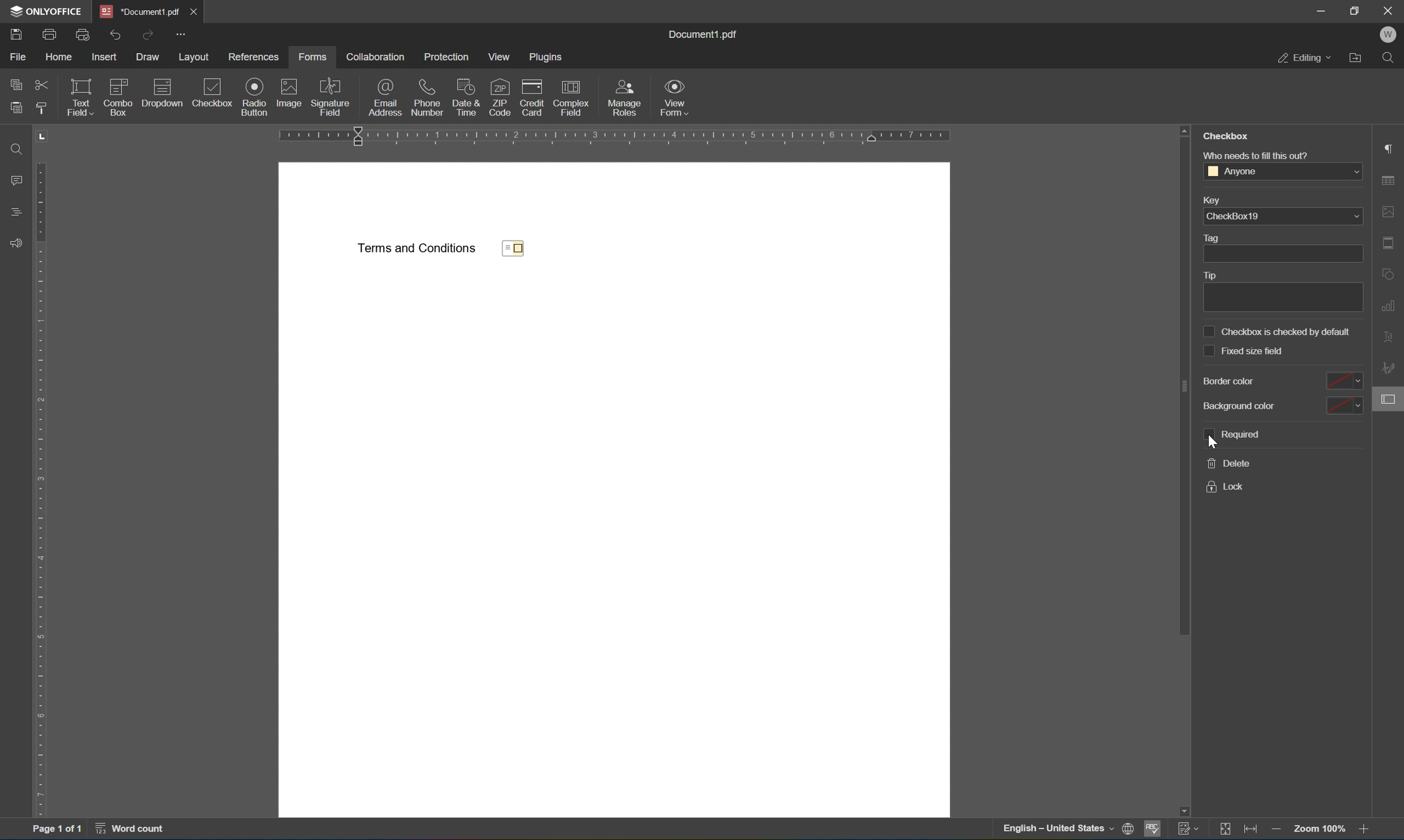  What do you see at coordinates (162, 92) in the screenshot?
I see `dropdown` at bounding box center [162, 92].